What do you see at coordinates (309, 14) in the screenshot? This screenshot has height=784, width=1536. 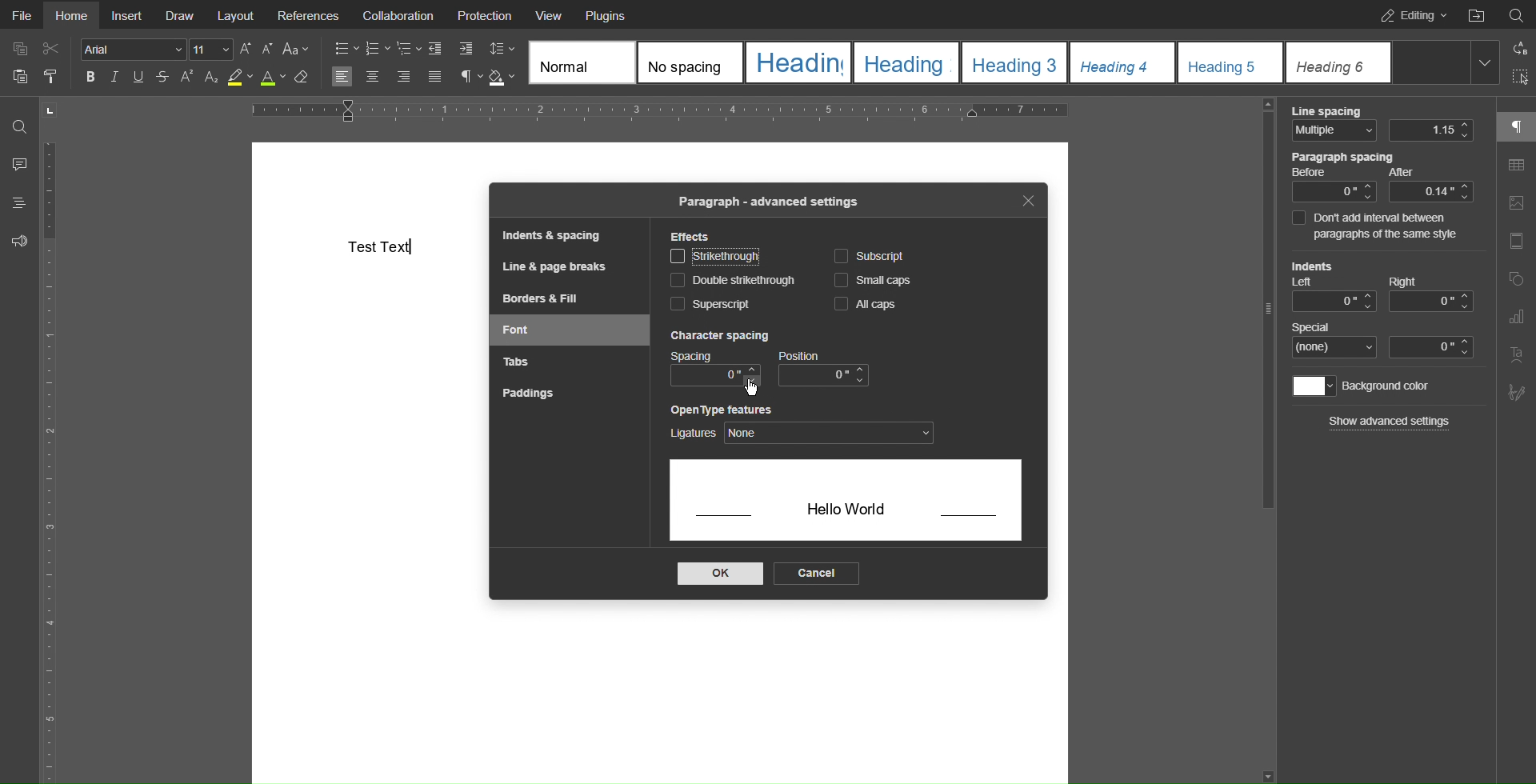 I see `References` at bounding box center [309, 14].